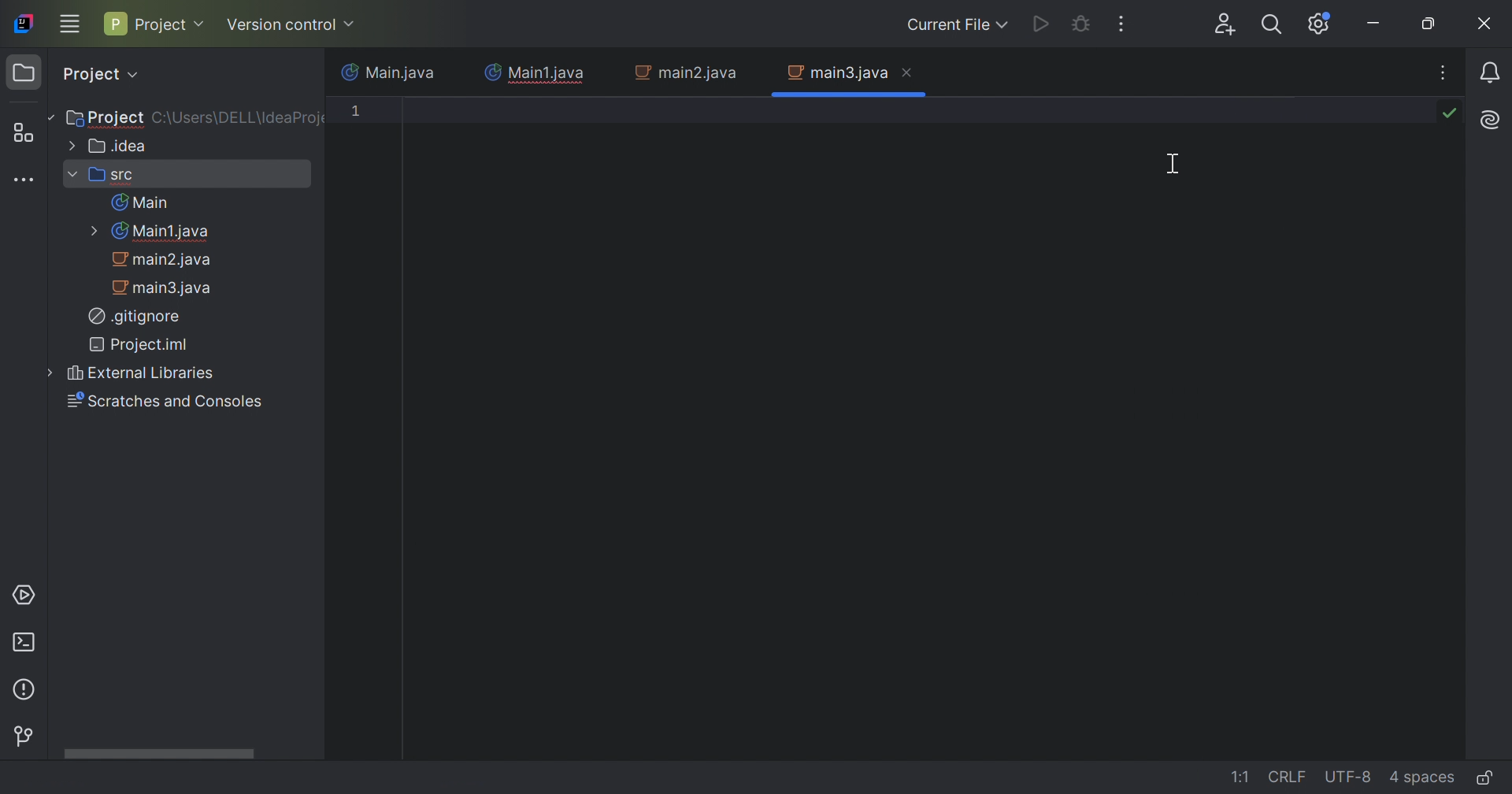 The image size is (1512, 794). Describe the element at coordinates (27, 23) in the screenshot. I see `IntelliJ IDEA icon` at that location.